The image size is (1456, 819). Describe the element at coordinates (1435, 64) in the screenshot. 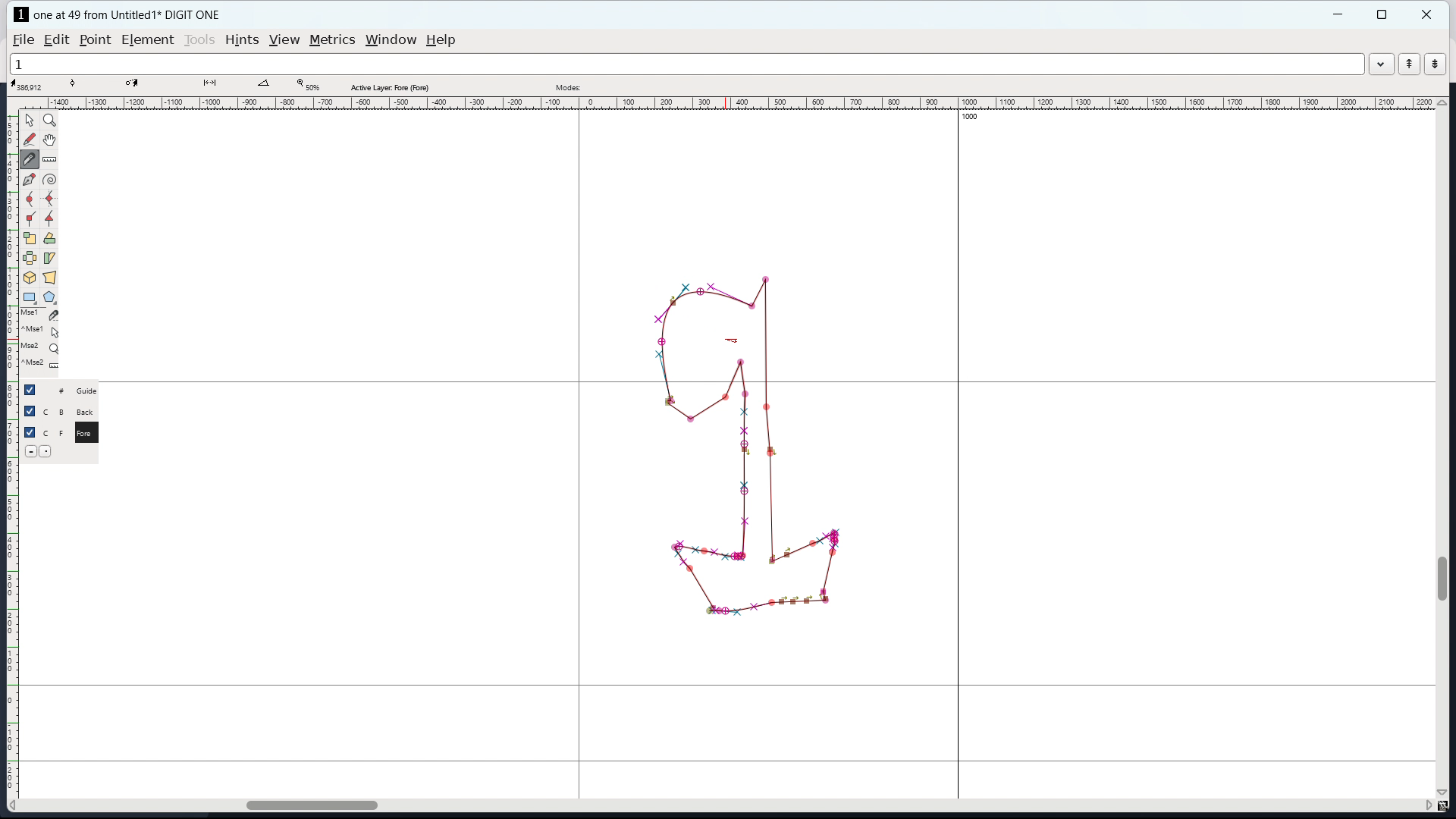

I see `next word in the current word list` at that location.